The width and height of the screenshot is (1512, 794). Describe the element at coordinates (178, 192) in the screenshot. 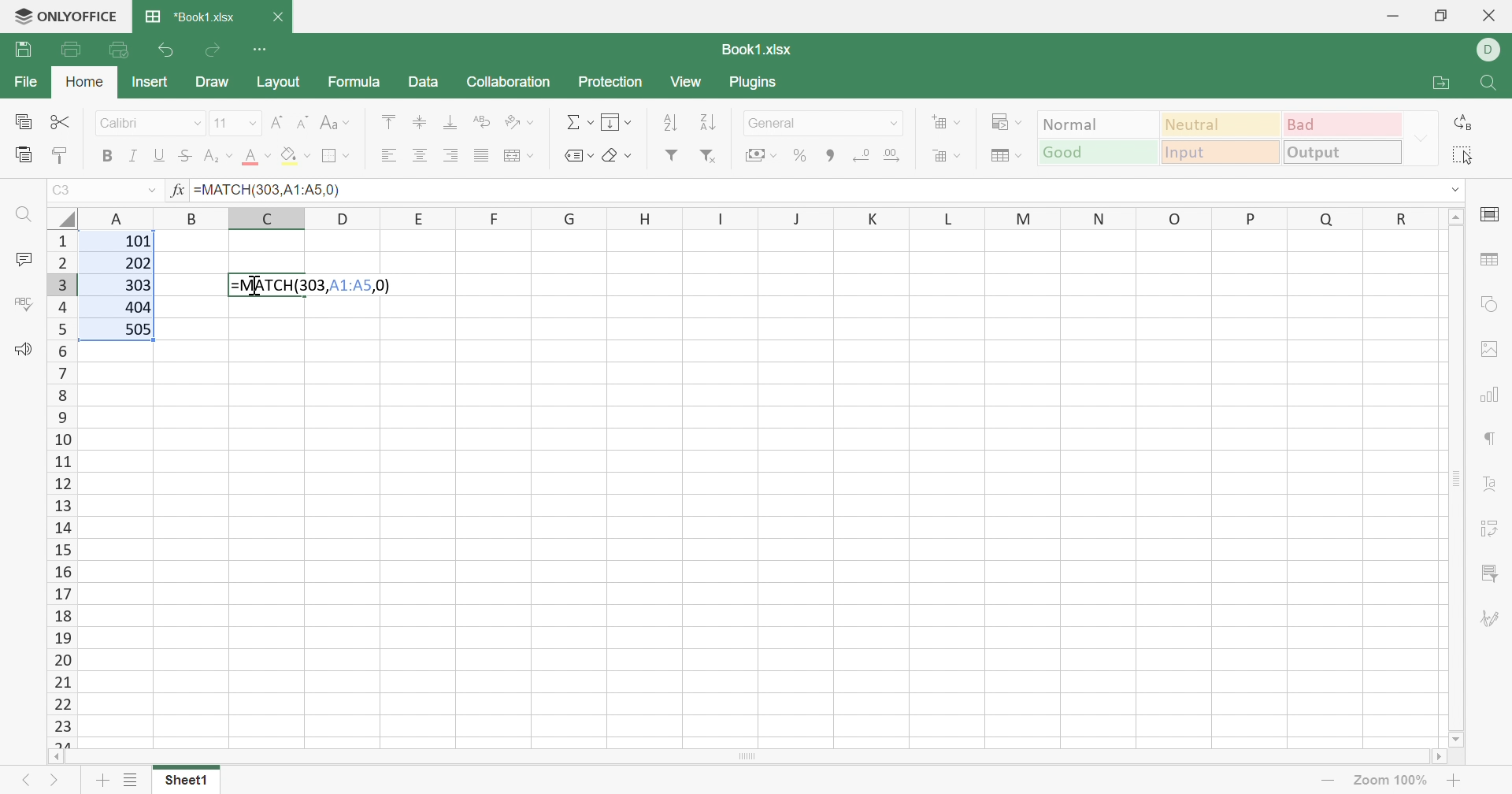

I see `fx` at that location.